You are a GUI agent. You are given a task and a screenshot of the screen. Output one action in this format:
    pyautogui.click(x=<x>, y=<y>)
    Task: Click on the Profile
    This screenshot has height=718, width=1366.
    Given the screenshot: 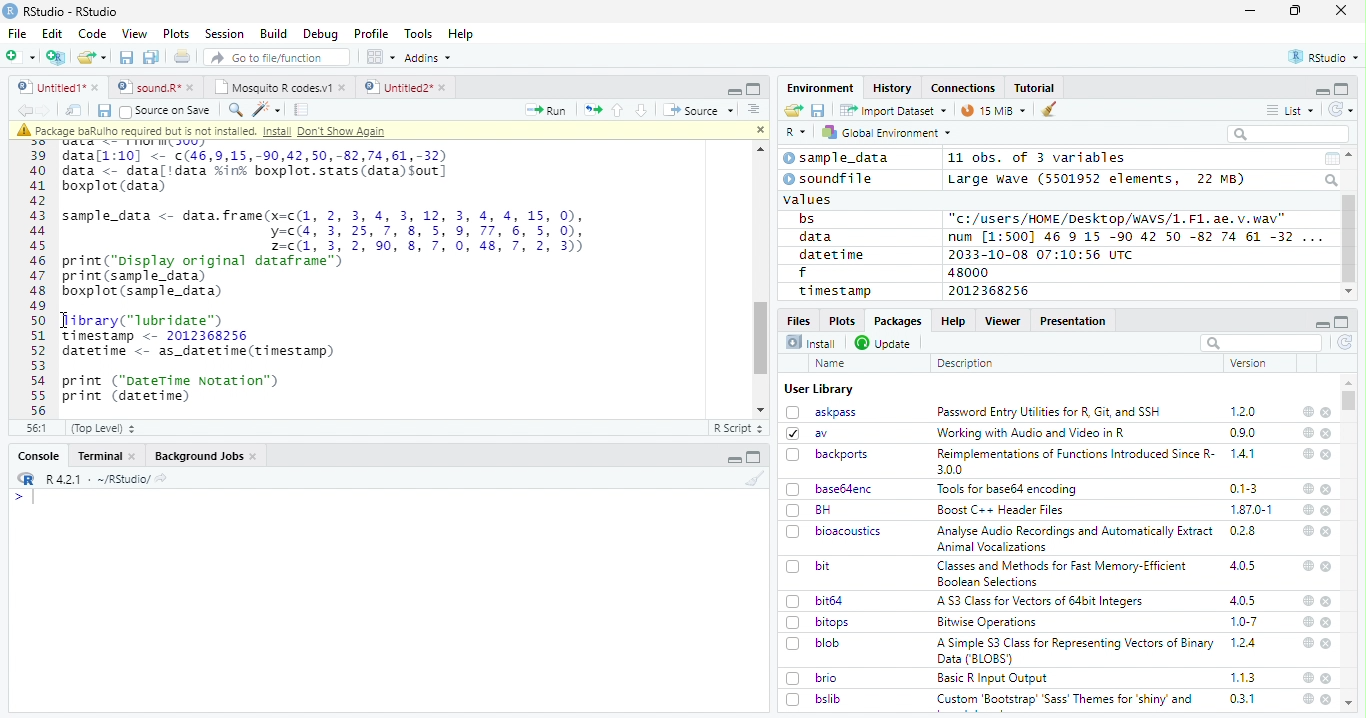 What is the action you would take?
    pyautogui.click(x=371, y=34)
    